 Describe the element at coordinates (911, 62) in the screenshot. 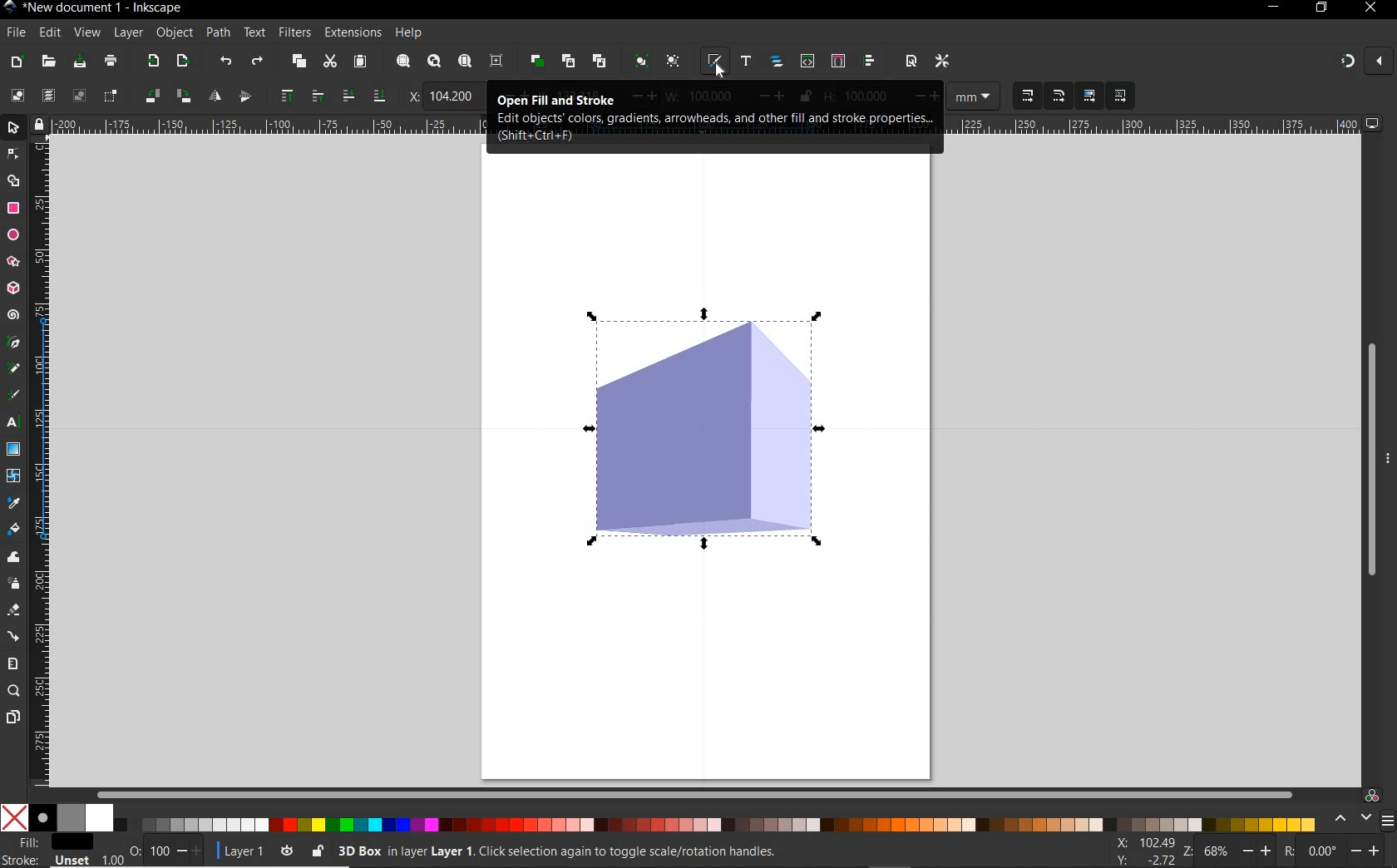

I see `OPEN DOCUMENT PROPERTIES` at that location.